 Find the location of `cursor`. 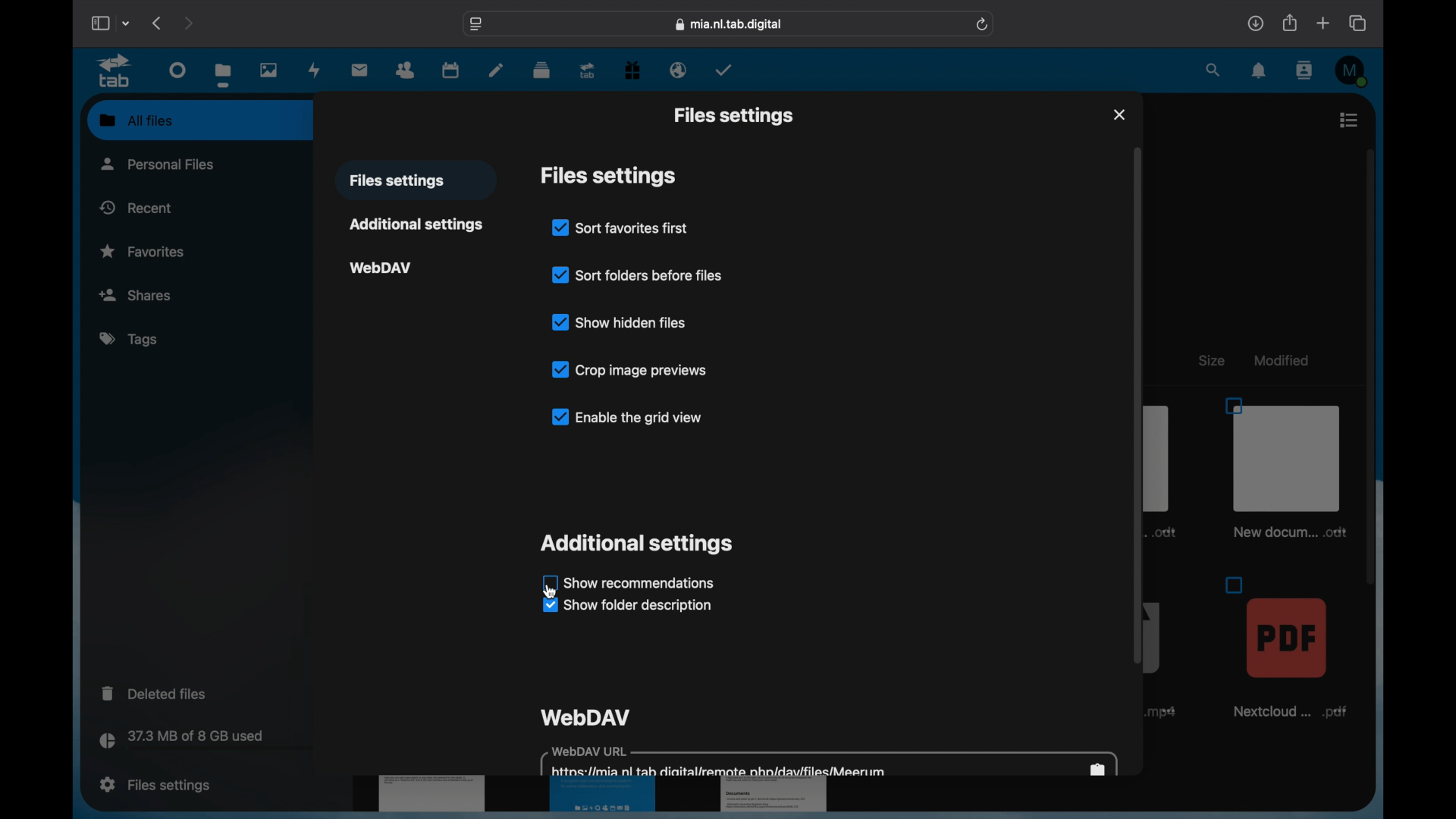

cursor is located at coordinates (554, 592).